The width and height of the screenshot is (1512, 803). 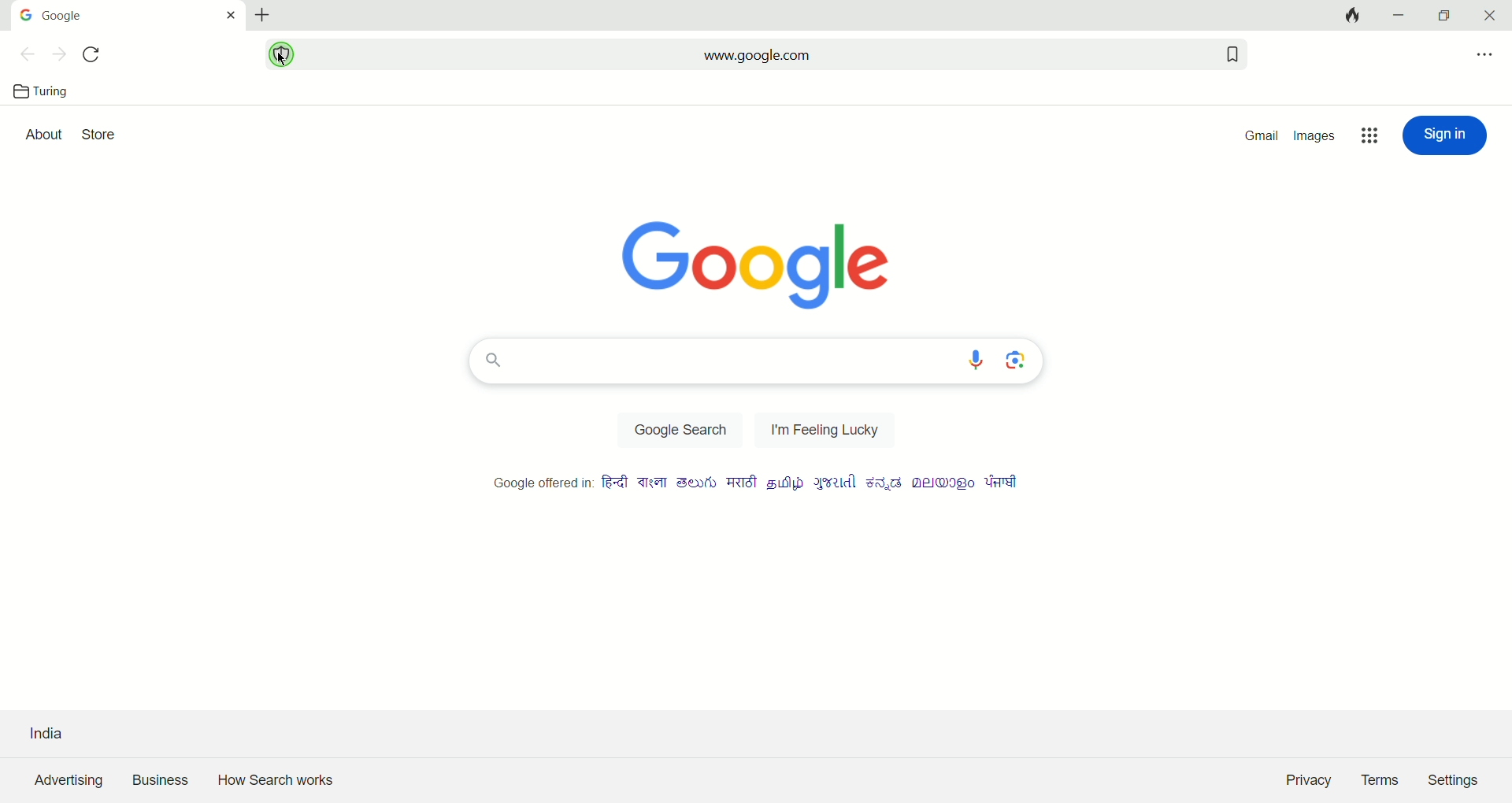 What do you see at coordinates (1367, 135) in the screenshot?
I see `google apps` at bounding box center [1367, 135].